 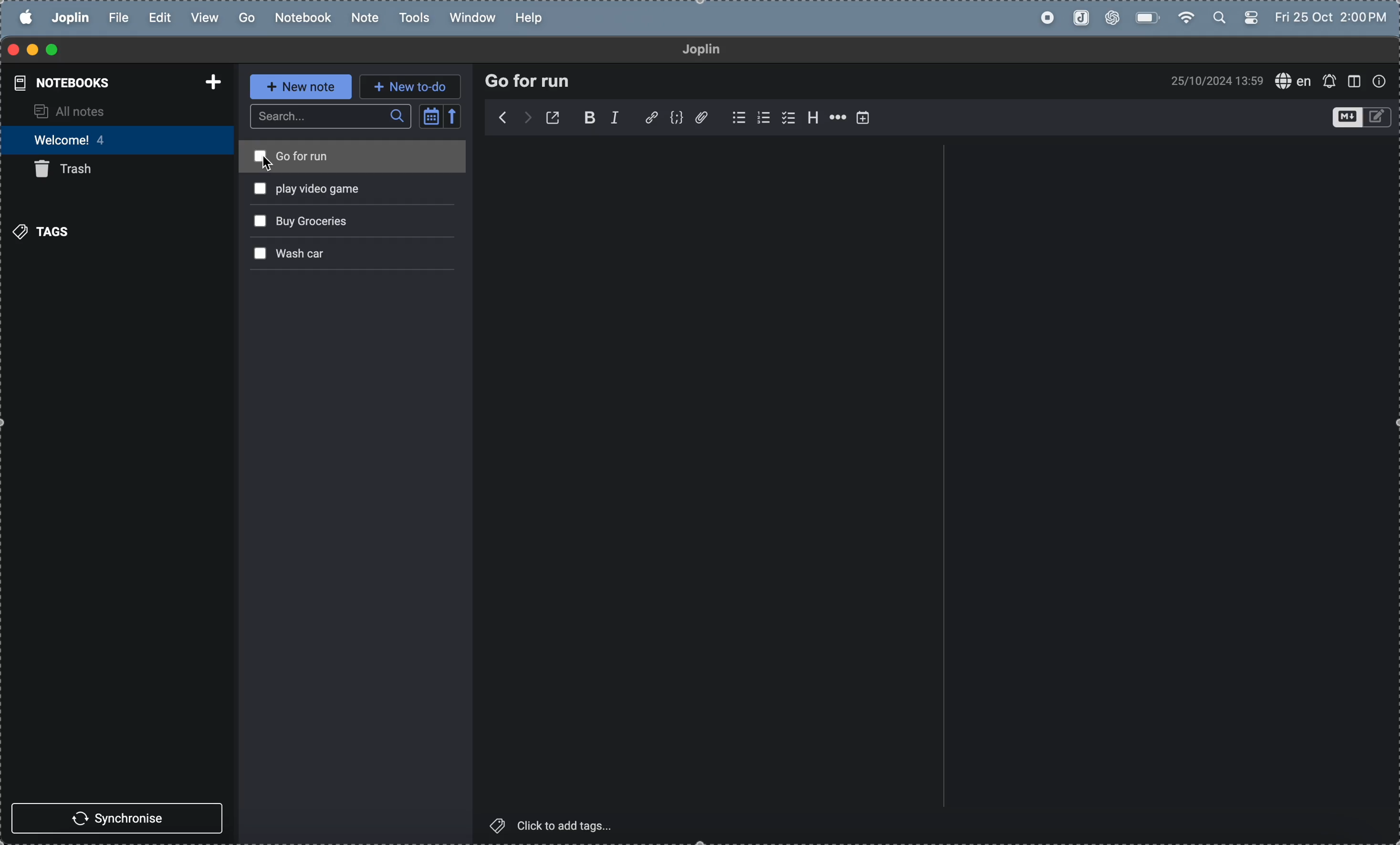 I want to click on toggle edit, so click(x=1357, y=116).